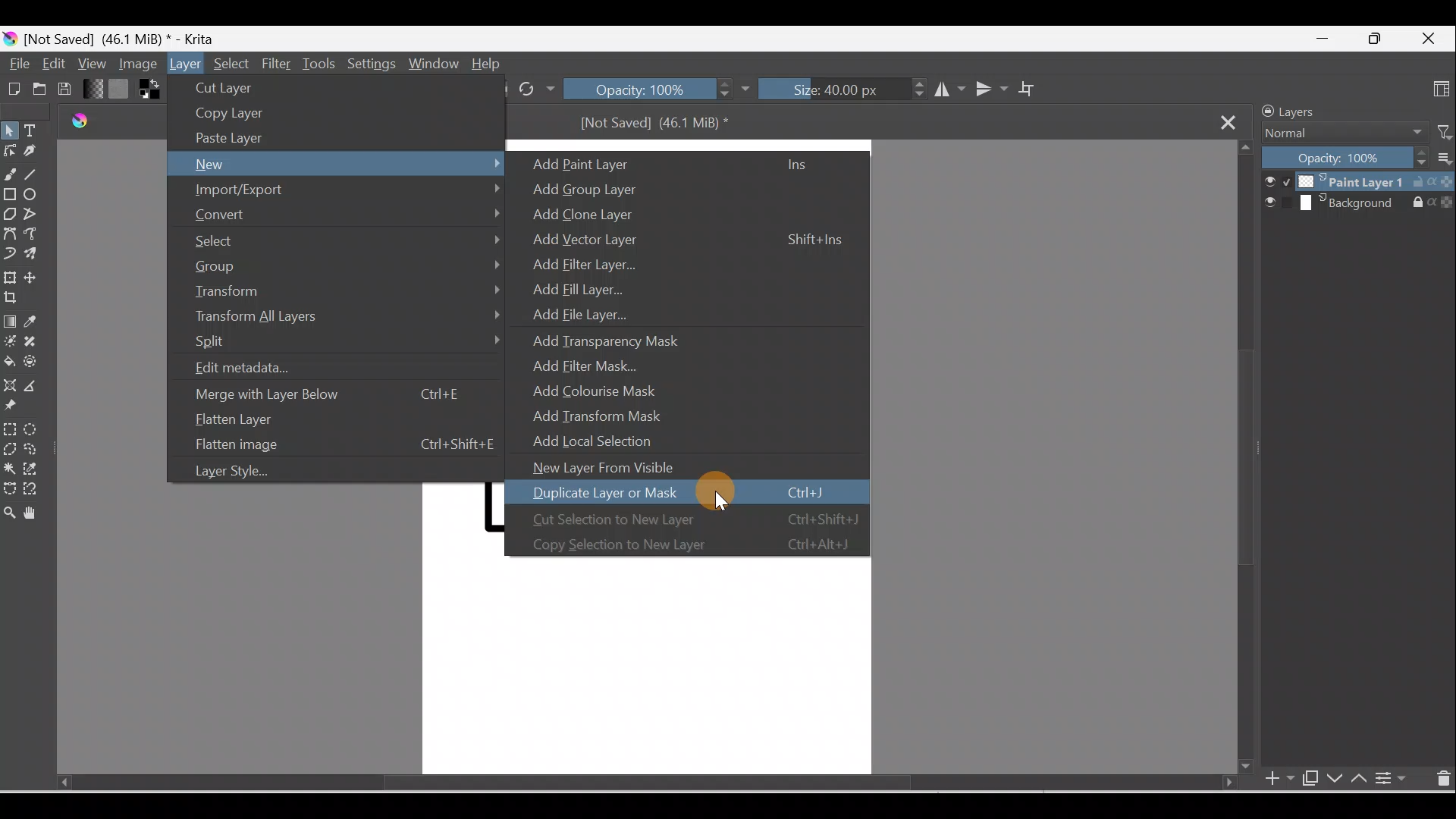 Image resolution: width=1456 pixels, height=819 pixels. Describe the element at coordinates (325, 422) in the screenshot. I see `Flatten layer` at that location.